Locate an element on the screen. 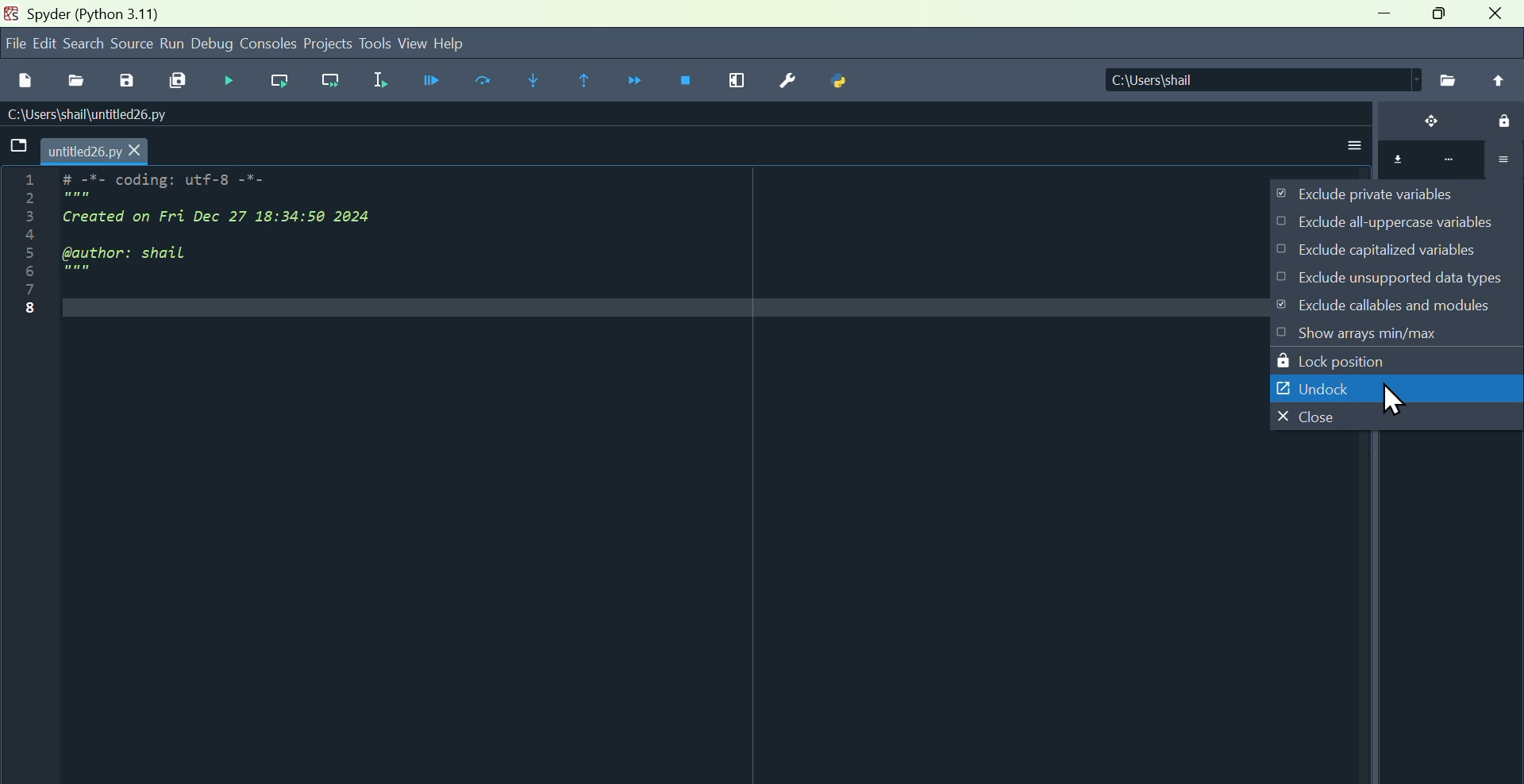 Image resolution: width=1524 pixels, height=784 pixels. Run current line and go to the next one is located at coordinates (333, 82).